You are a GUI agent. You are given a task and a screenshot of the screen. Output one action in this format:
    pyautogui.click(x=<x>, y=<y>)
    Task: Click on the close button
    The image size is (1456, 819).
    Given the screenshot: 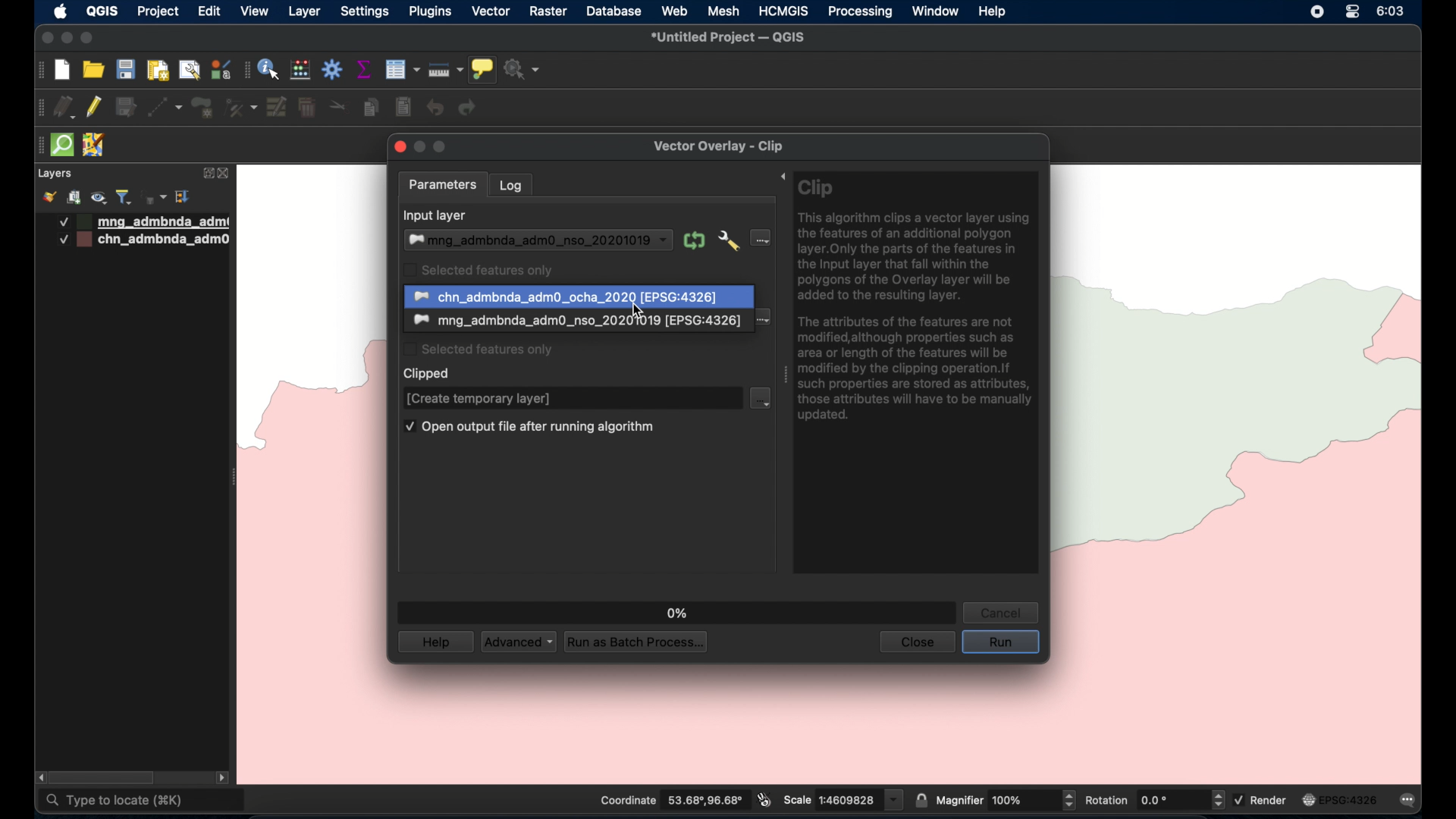 What is the action you would take?
    pyautogui.click(x=397, y=146)
    